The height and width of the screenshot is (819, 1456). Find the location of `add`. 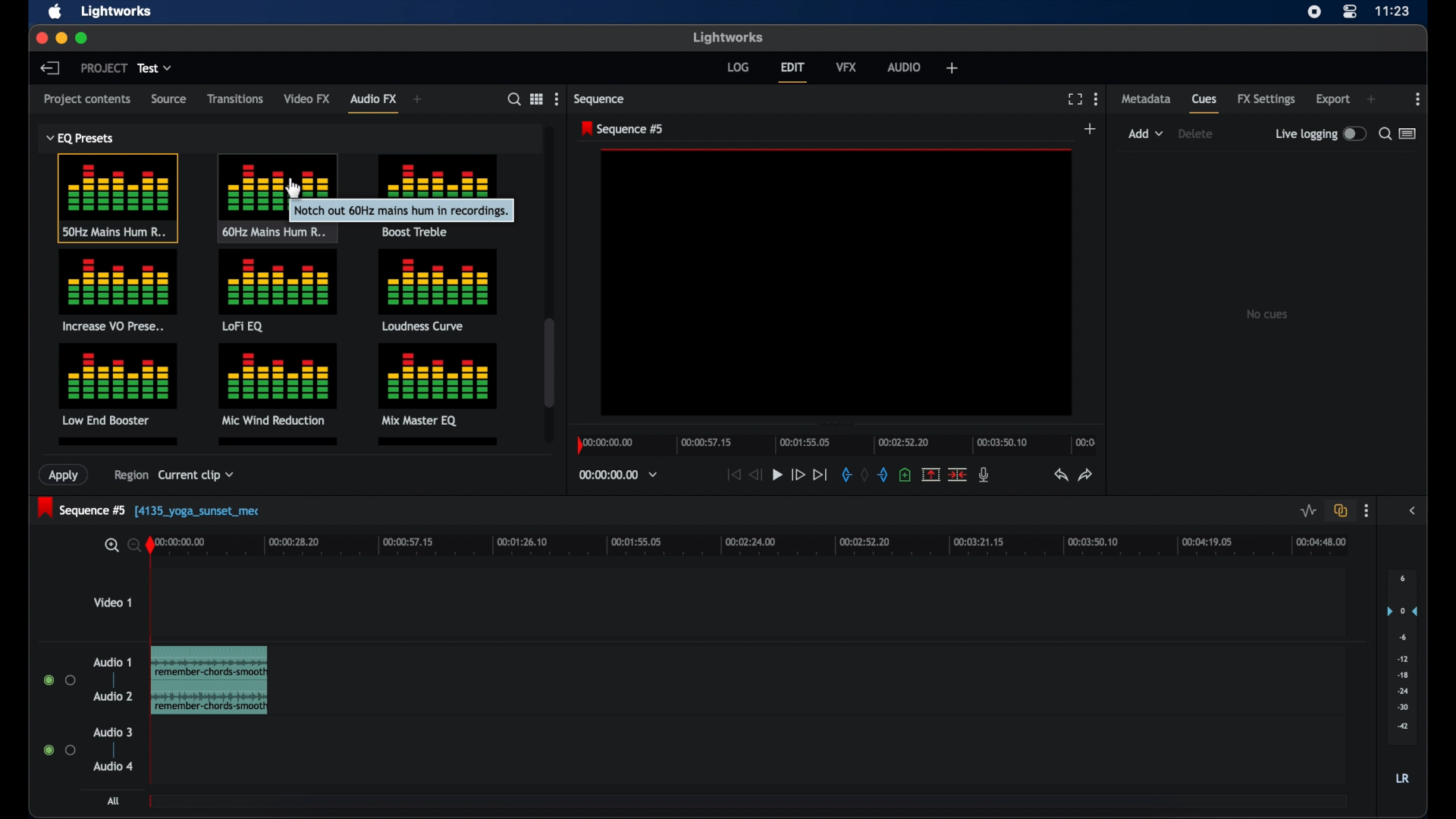

add is located at coordinates (952, 67).